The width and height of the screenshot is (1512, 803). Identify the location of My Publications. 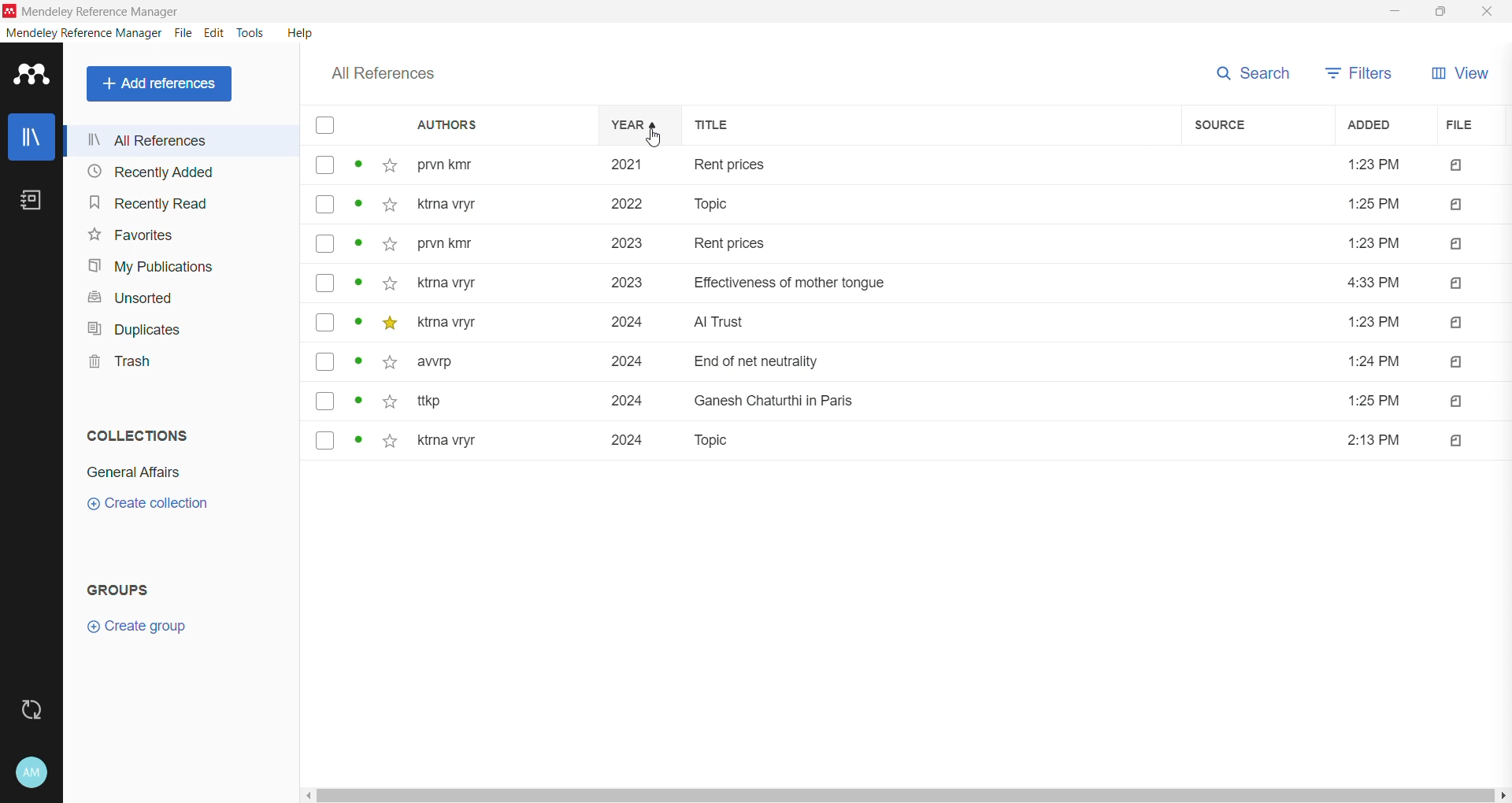
(156, 266).